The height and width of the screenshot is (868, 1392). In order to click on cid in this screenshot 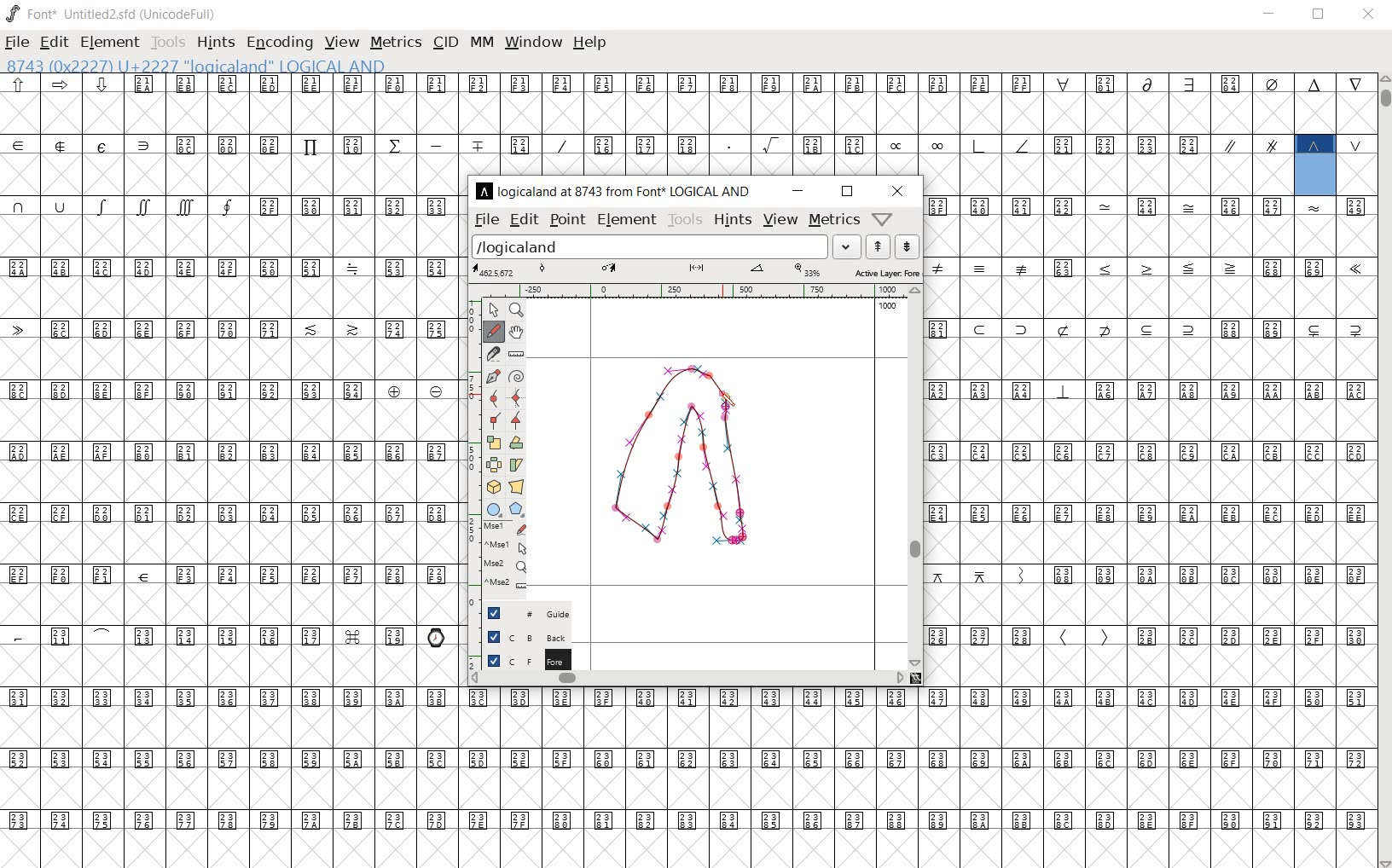, I will do `click(445, 41)`.